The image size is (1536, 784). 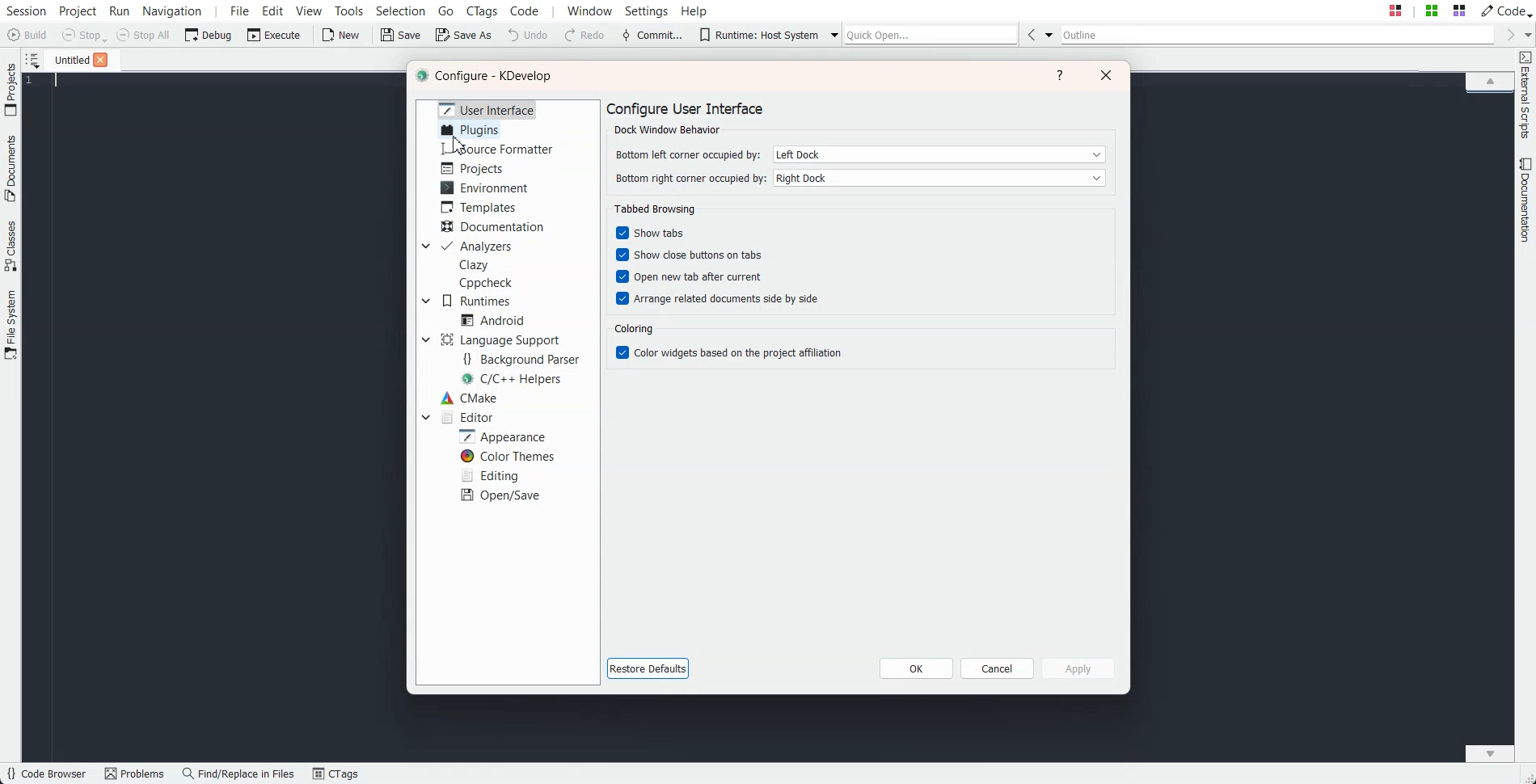 What do you see at coordinates (1489, 95) in the screenshot?
I see `File Overview` at bounding box center [1489, 95].